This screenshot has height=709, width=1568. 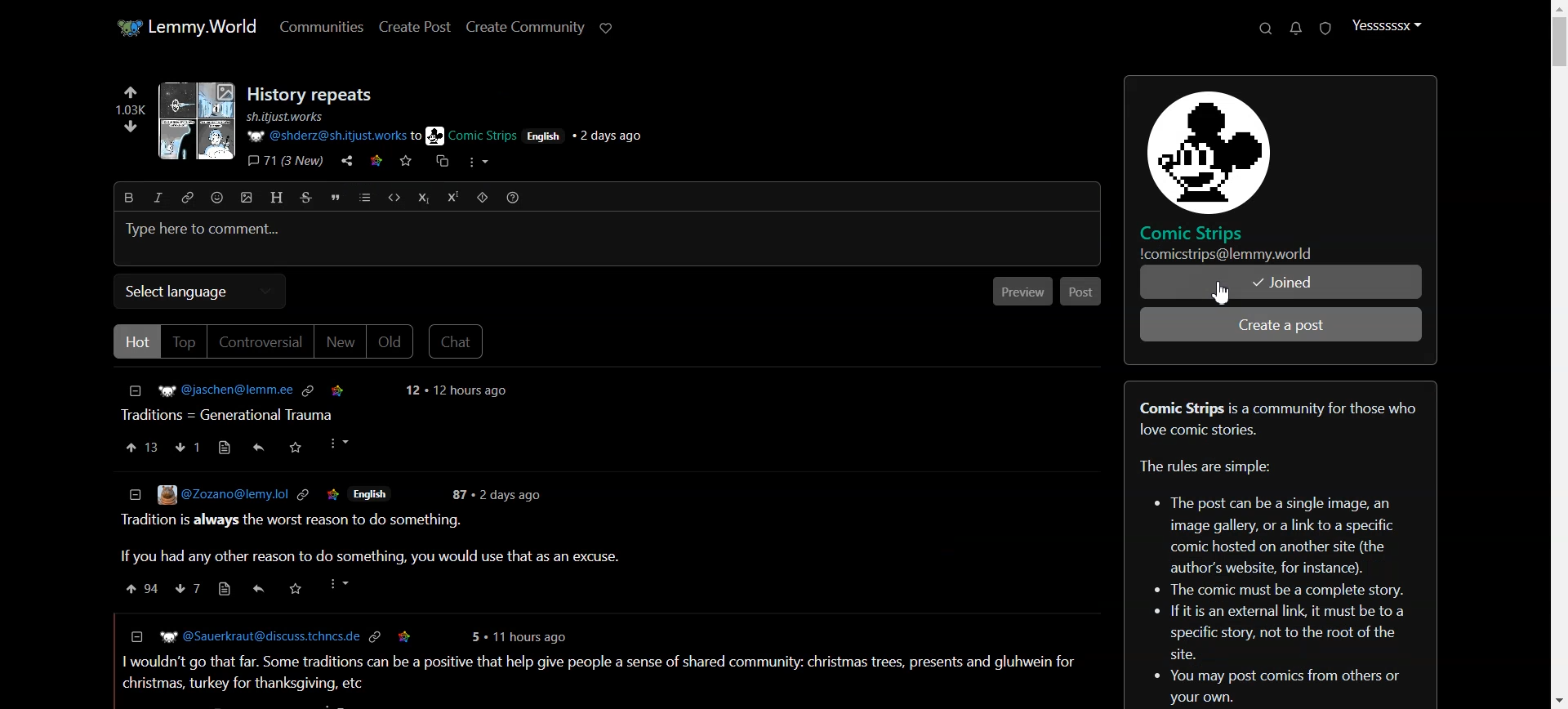 I want to click on Select language, so click(x=200, y=292).